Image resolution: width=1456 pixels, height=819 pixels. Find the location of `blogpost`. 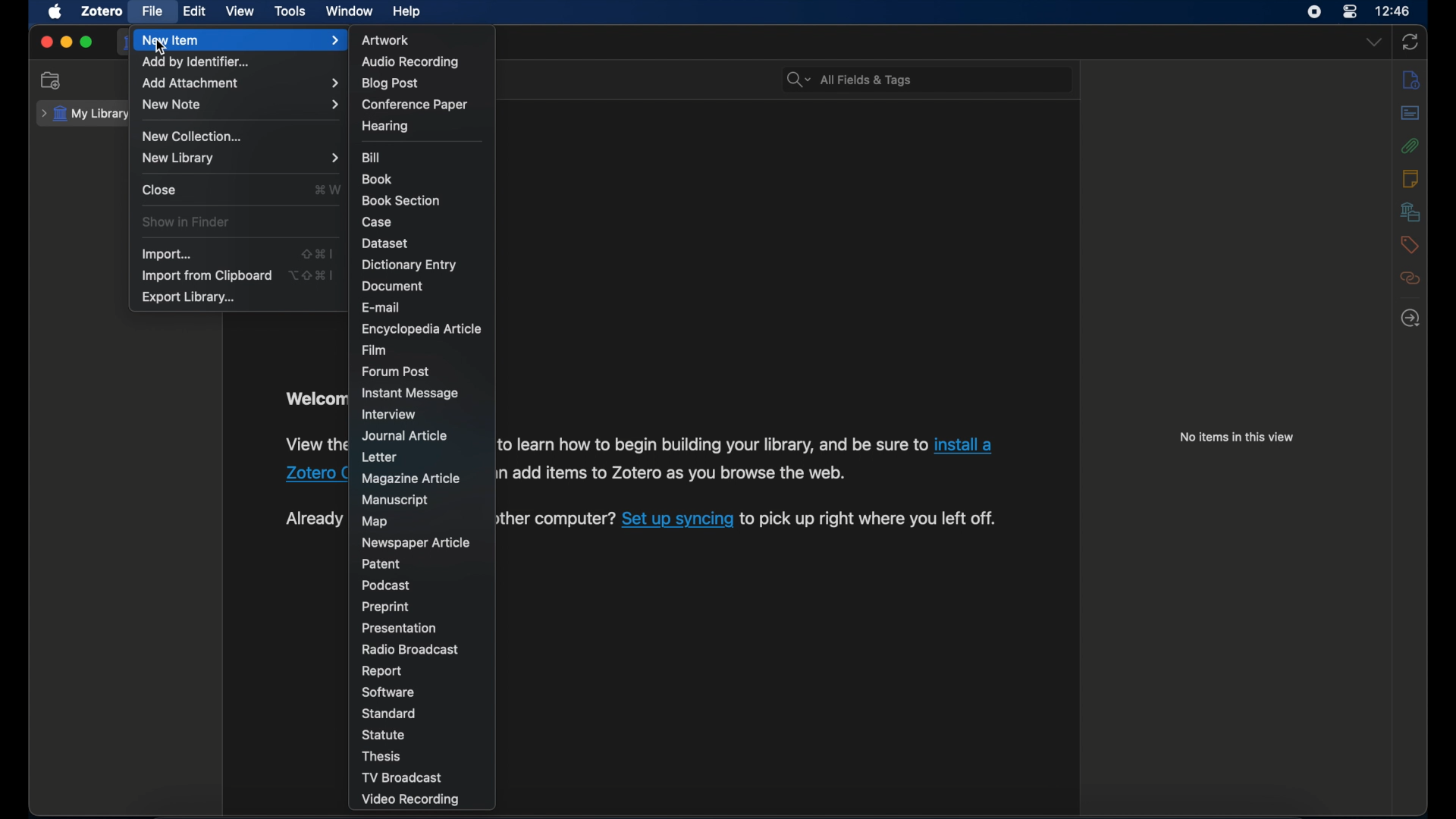

blogpost is located at coordinates (390, 84).